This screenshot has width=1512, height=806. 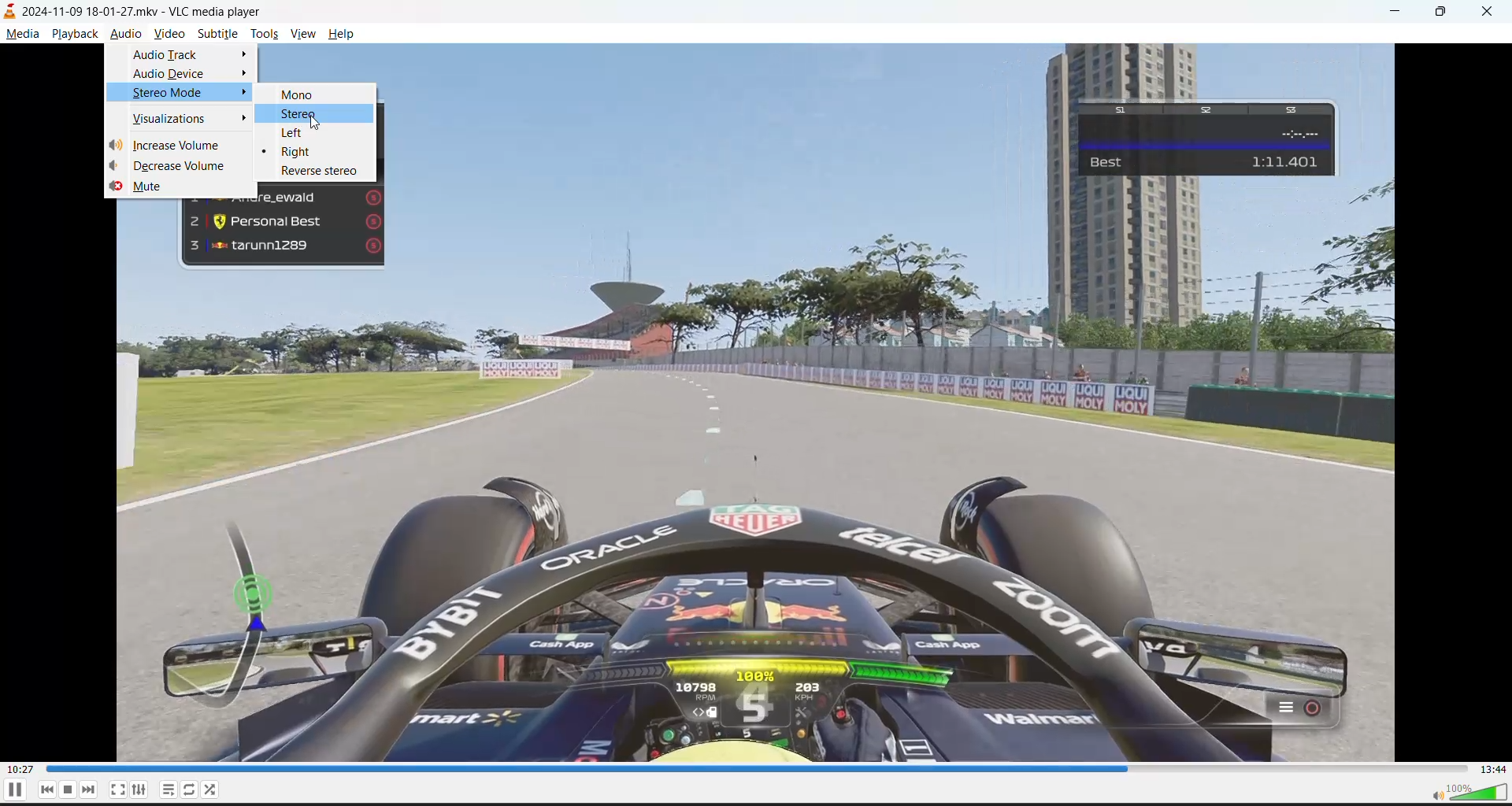 What do you see at coordinates (86, 790) in the screenshot?
I see `next` at bounding box center [86, 790].